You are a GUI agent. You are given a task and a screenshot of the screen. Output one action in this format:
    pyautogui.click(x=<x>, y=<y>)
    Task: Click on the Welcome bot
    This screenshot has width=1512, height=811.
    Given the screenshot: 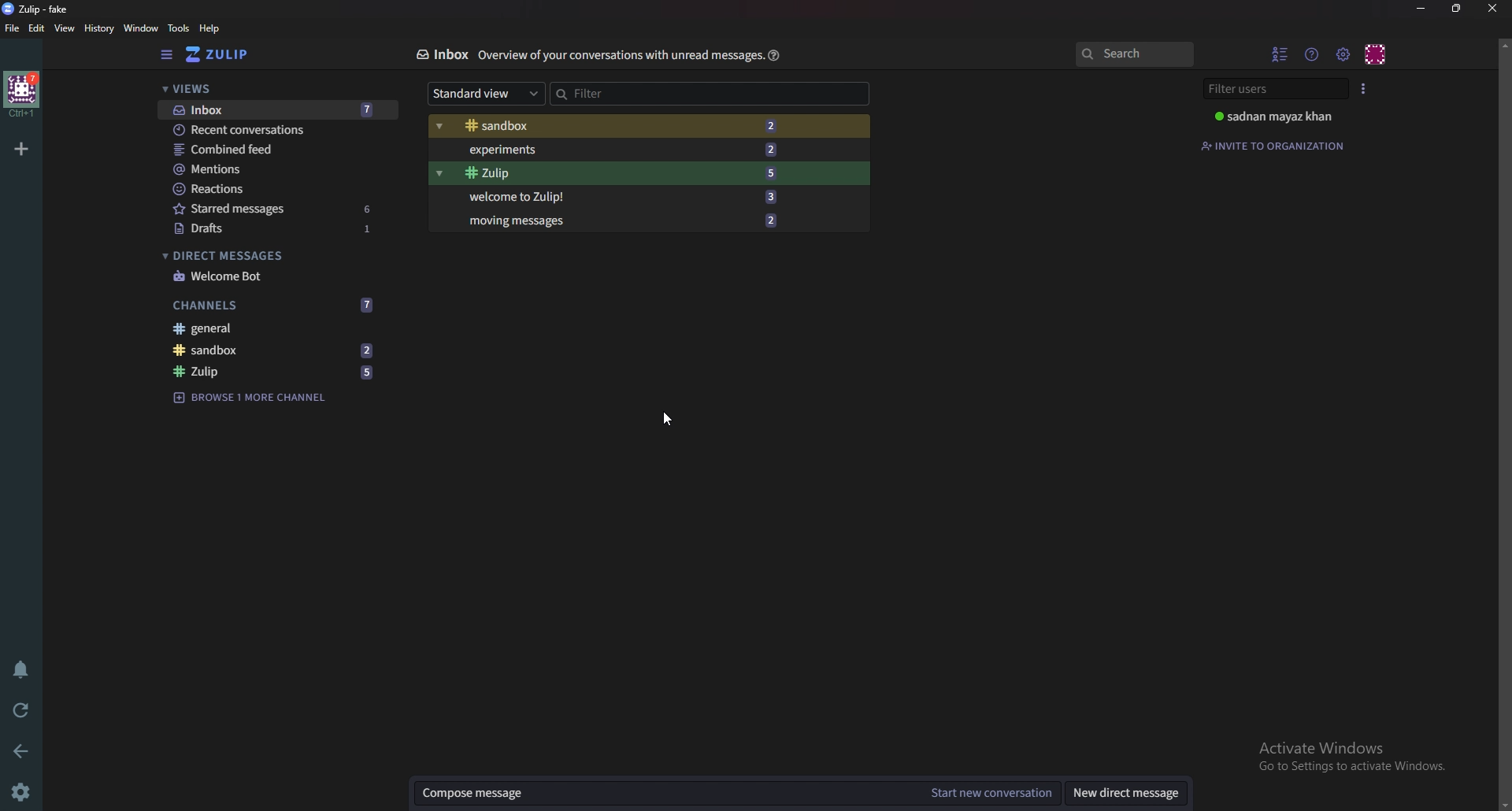 What is the action you would take?
    pyautogui.click(x=275, y=277)
    